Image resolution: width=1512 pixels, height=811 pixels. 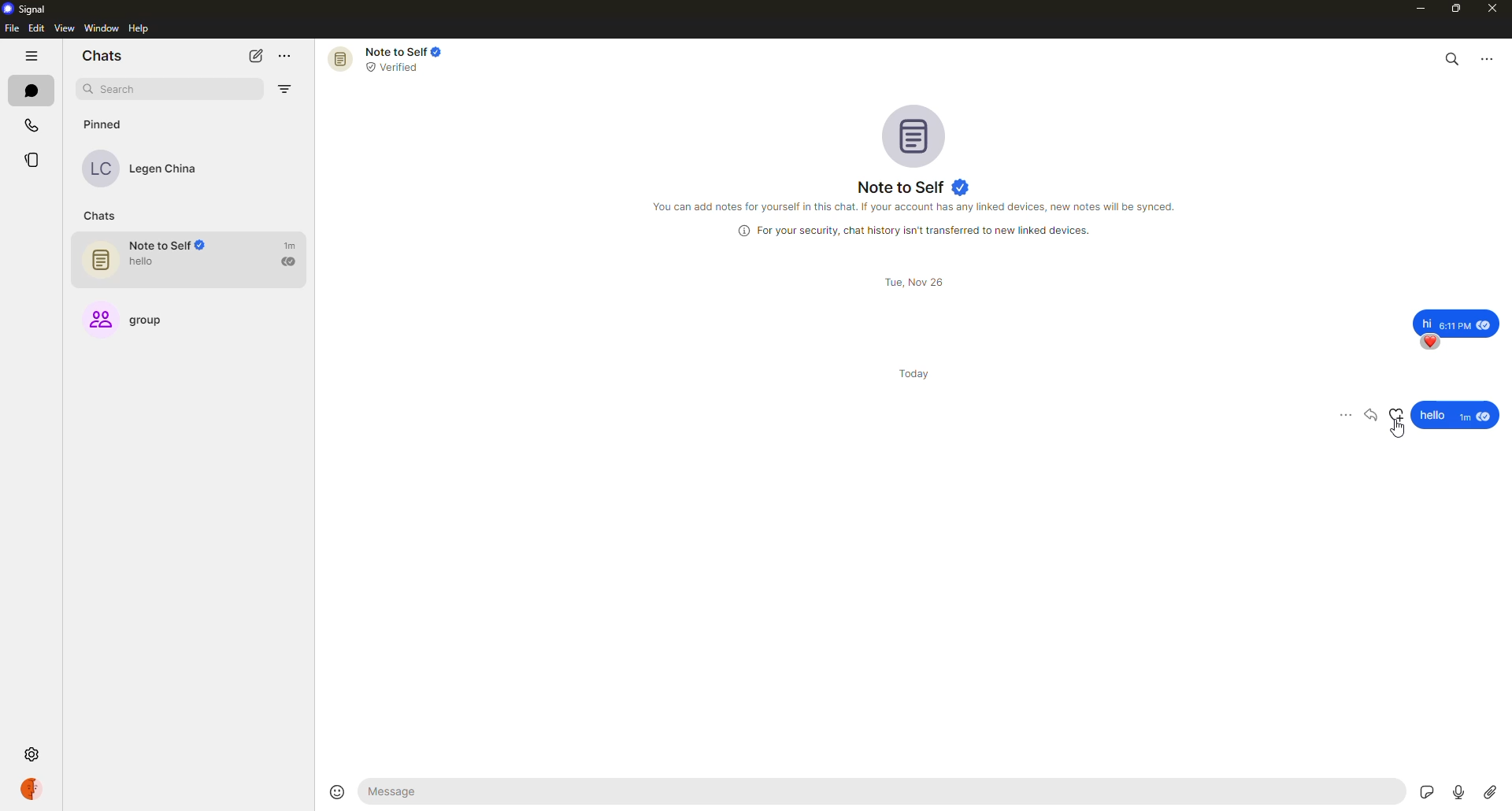 What do you see at coordinates (1454, 10) in the screenshot?
I see `maximize` at bounding box center [1454, 10].